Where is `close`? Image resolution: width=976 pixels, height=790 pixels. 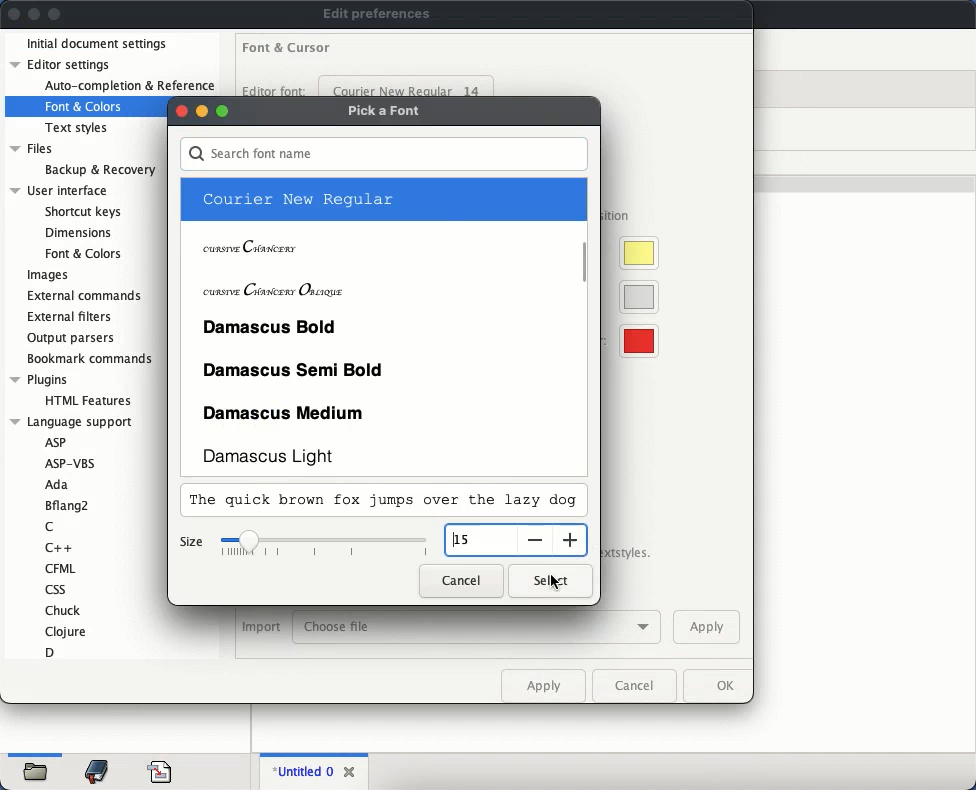
close is located at coordinates (351, 769).